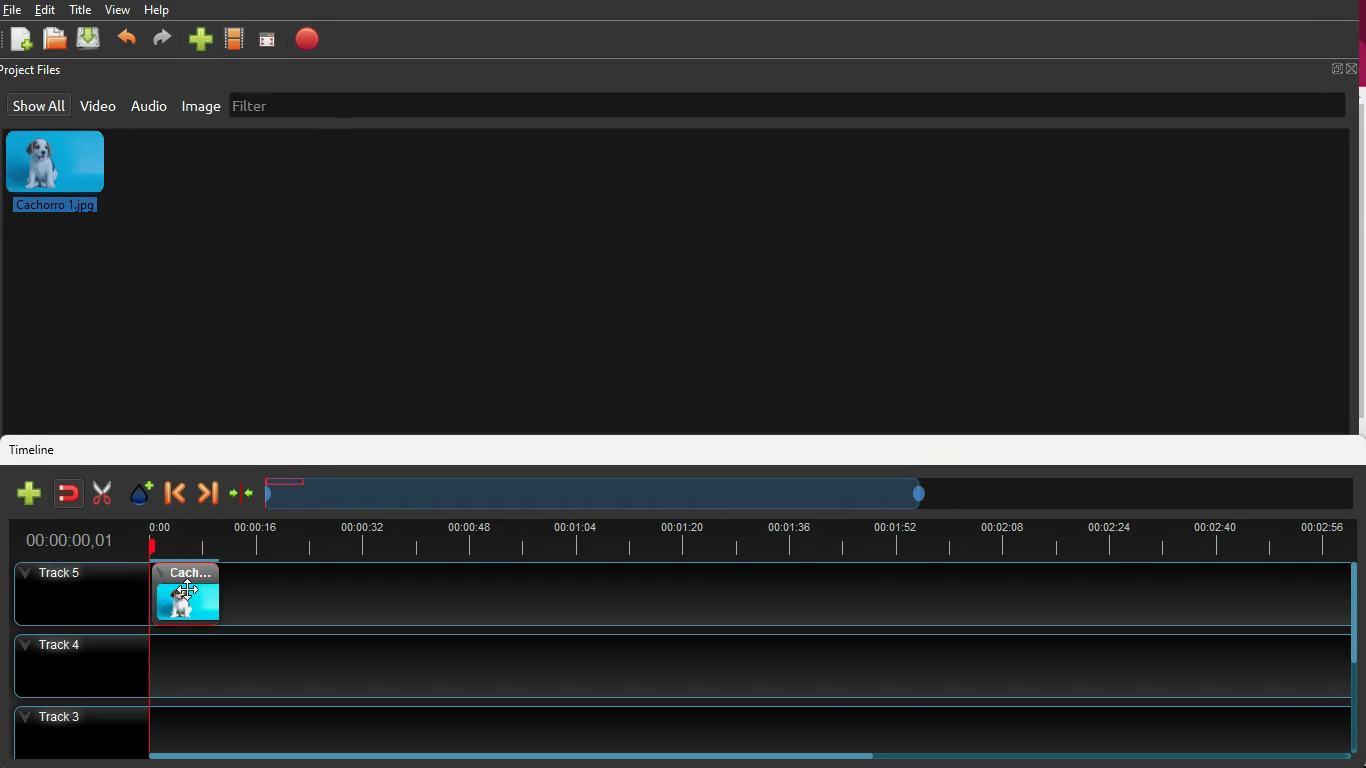 Image resolution: width=1366 pixels, height=768 pixels. What do you see at coordinates (1352, 619) in the screenshot?
I see `scroll bar` at bounding box center [1352, 619].